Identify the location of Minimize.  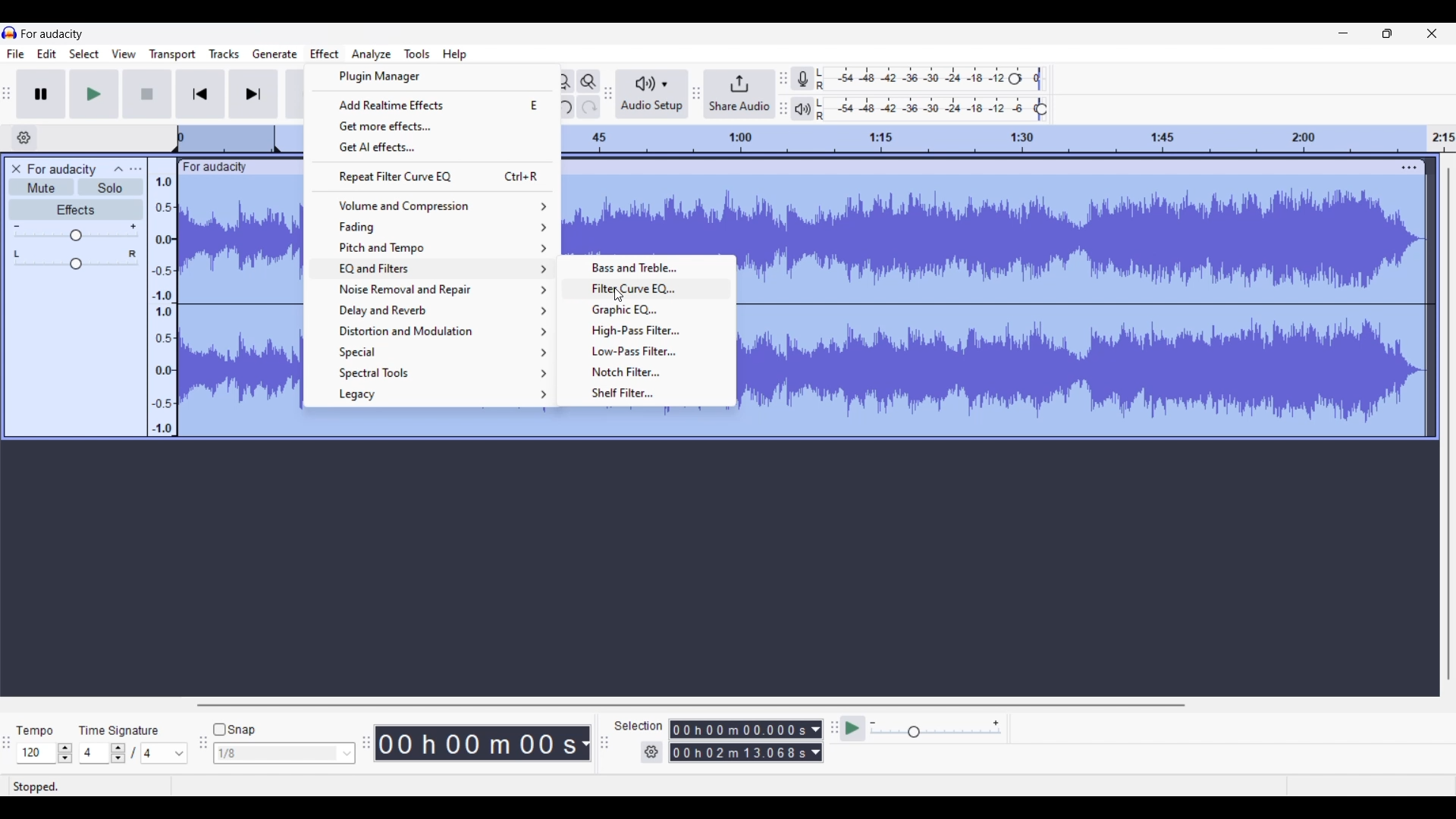
(1342, 33).